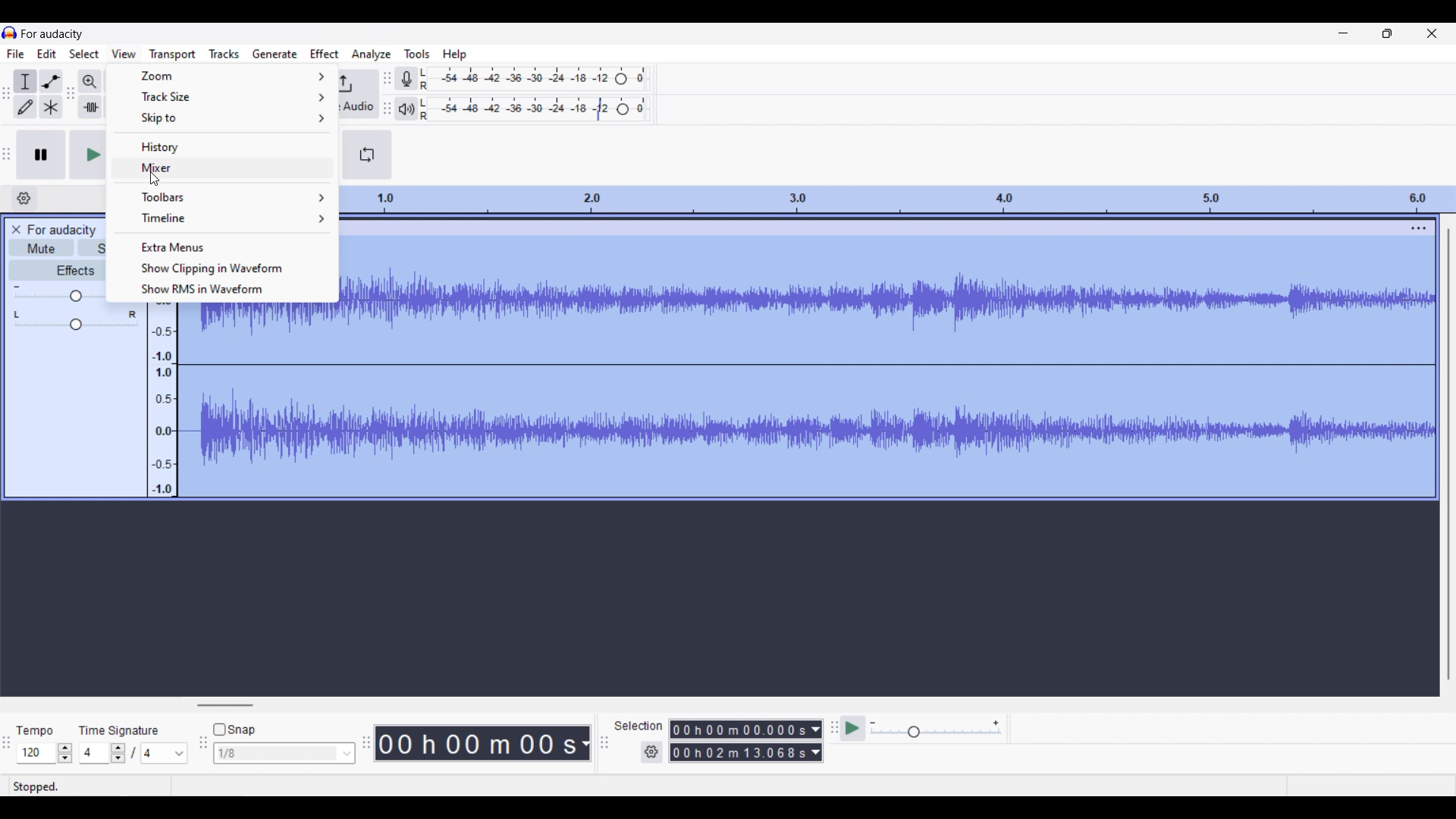 The image size is (1456, 819). What do you see at coordinates (76, 321) in the screenshot?
I see `Pan slider` at bounding box center [76, 321].